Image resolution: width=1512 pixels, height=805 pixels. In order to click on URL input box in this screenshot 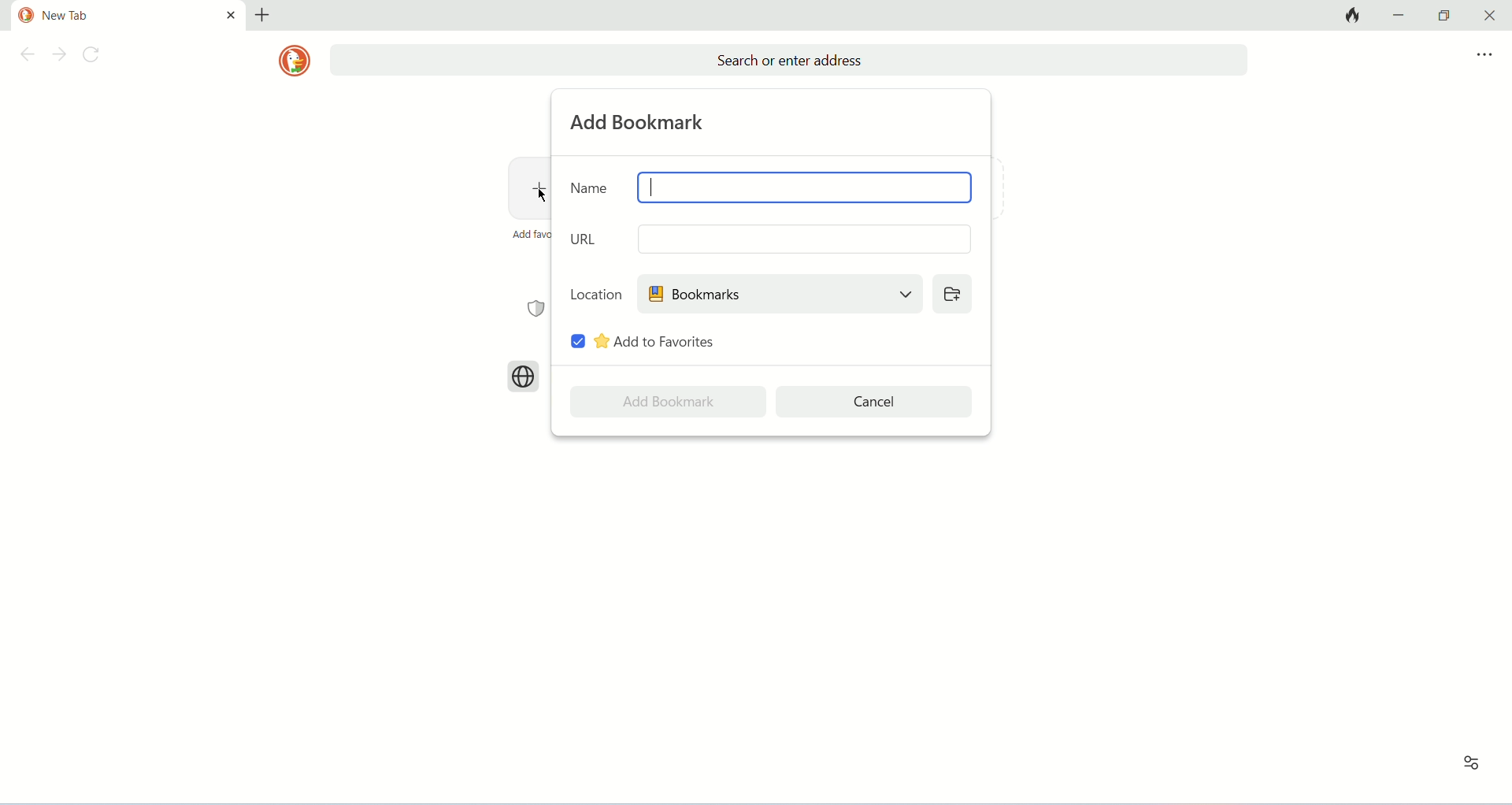, I will do `click(802, 239)`.